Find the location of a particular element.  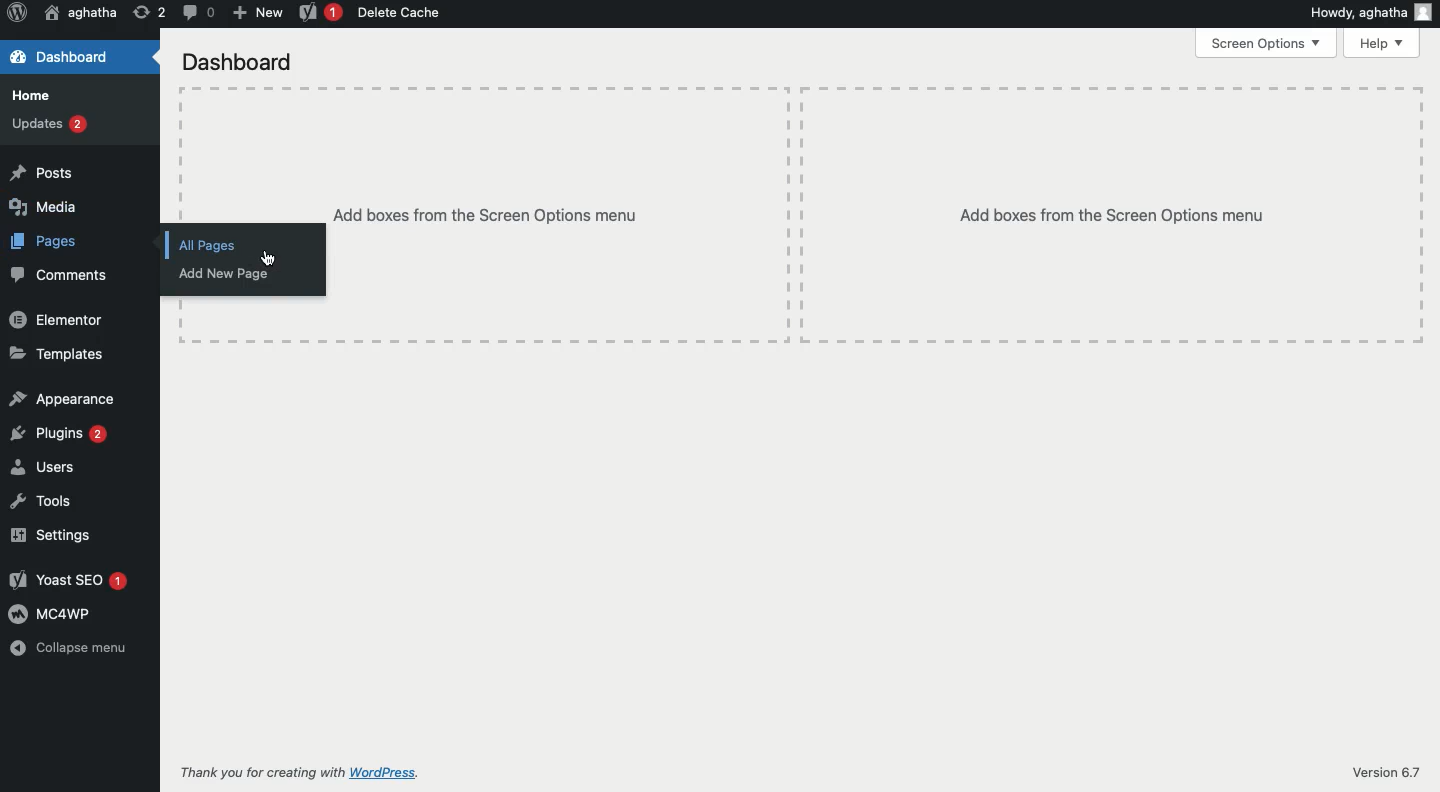

Collapse menu is located at coordinates (74, 648).